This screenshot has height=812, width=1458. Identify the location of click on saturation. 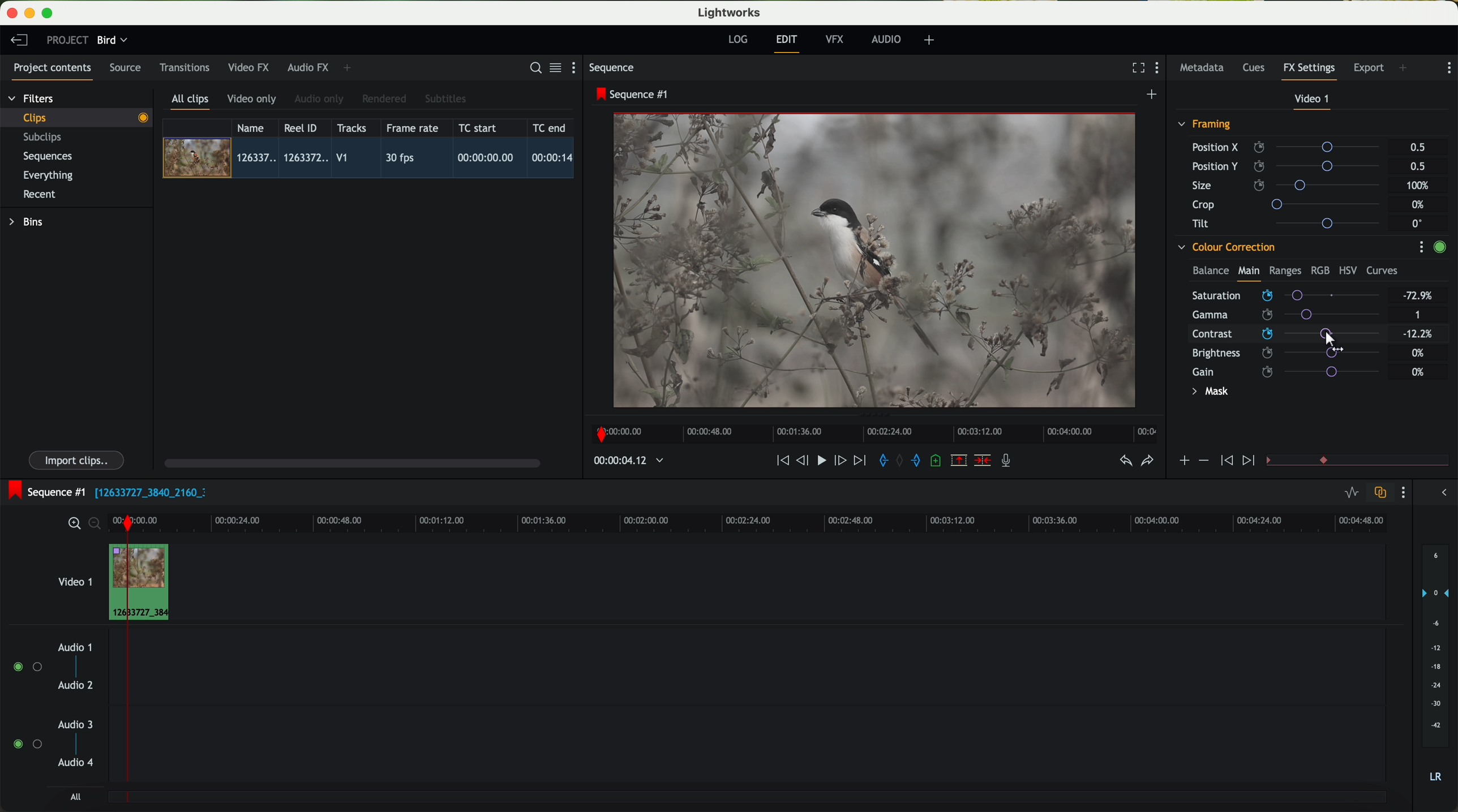
(1280, 315).